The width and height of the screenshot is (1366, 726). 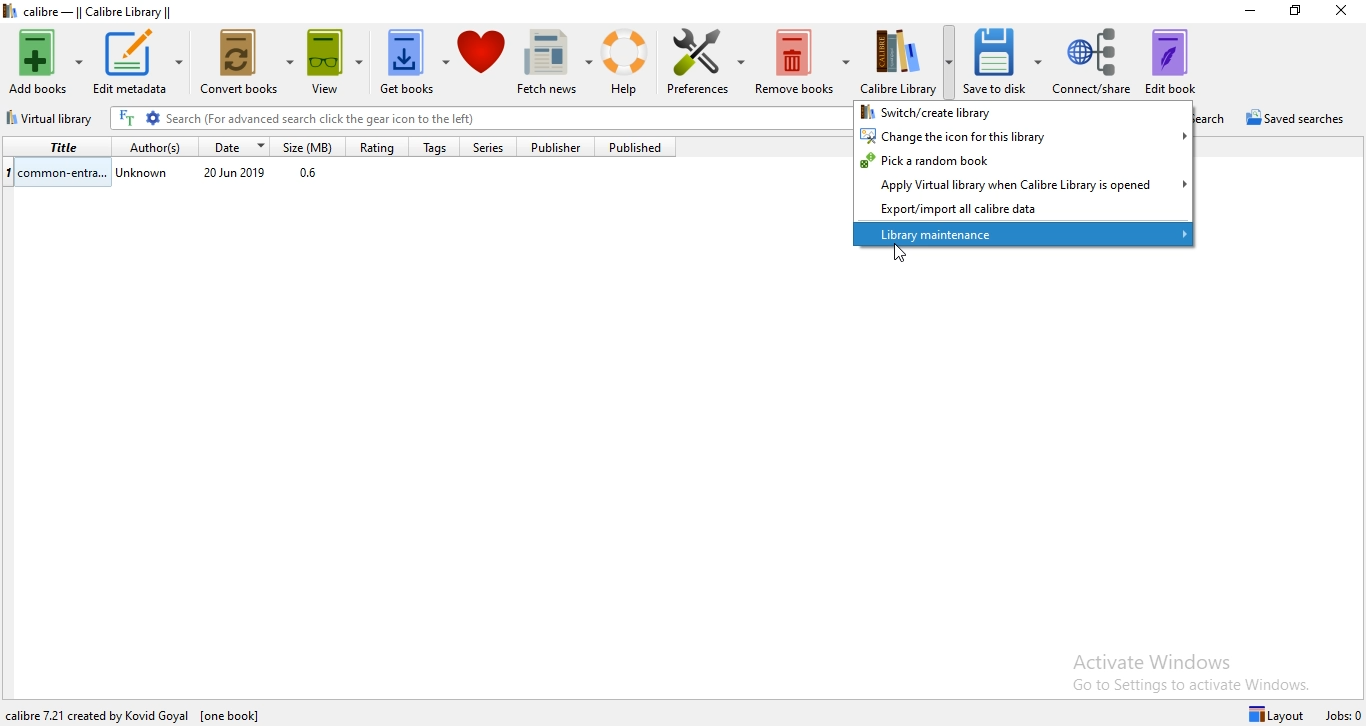 What do you see at coordinates (708, 65) in the screenshot?
I see `Preference` at bounding box center [708, 65].